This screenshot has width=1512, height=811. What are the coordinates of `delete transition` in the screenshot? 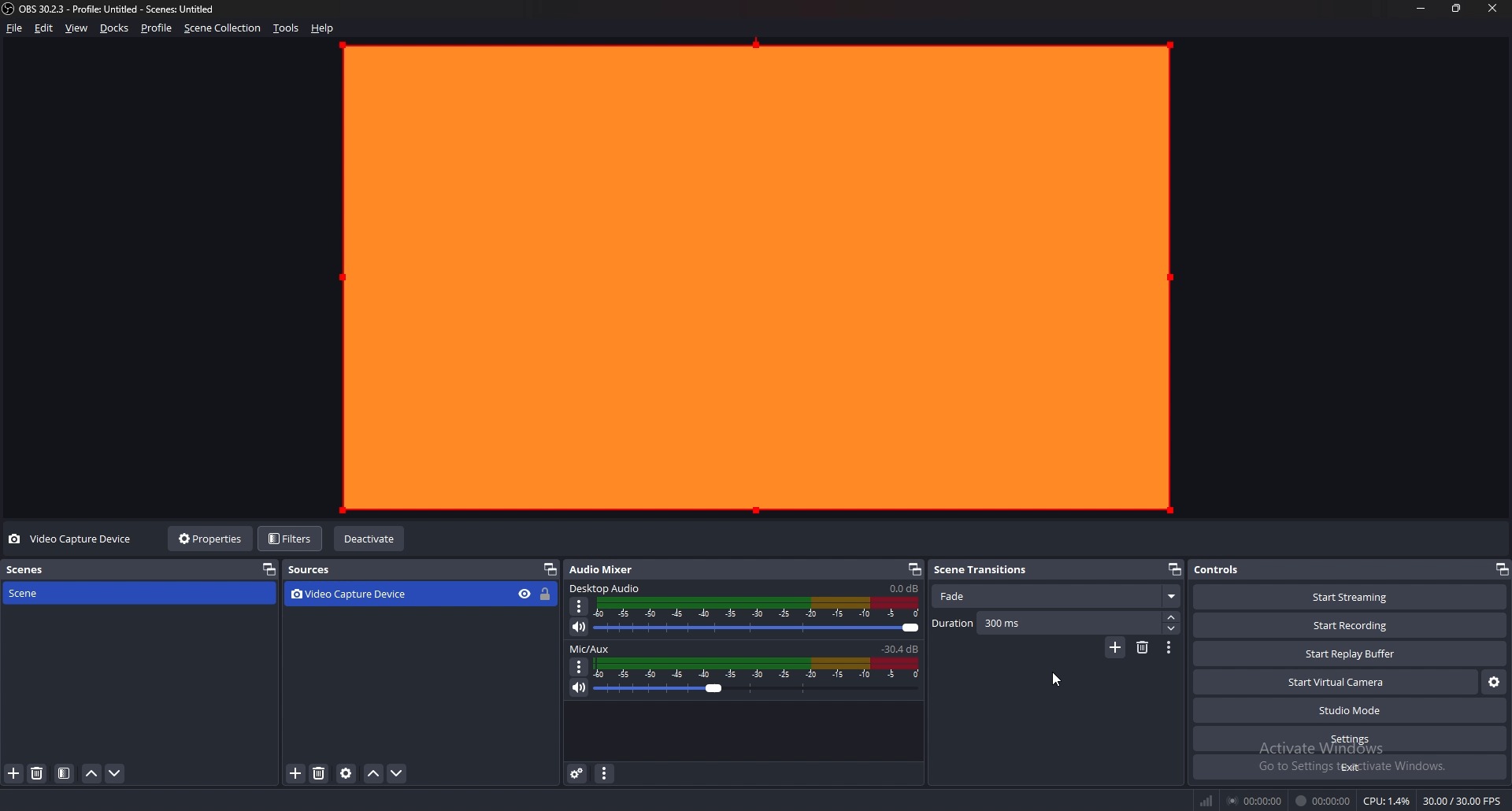 It's located at (1143, 647).